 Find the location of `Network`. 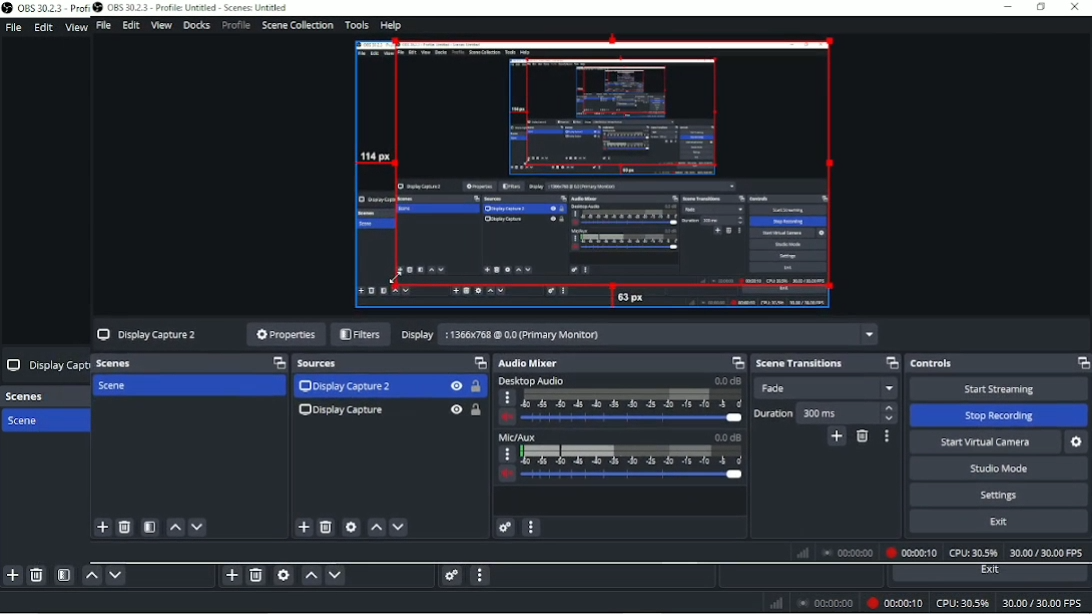

Network is located at coordinates (804, 552).